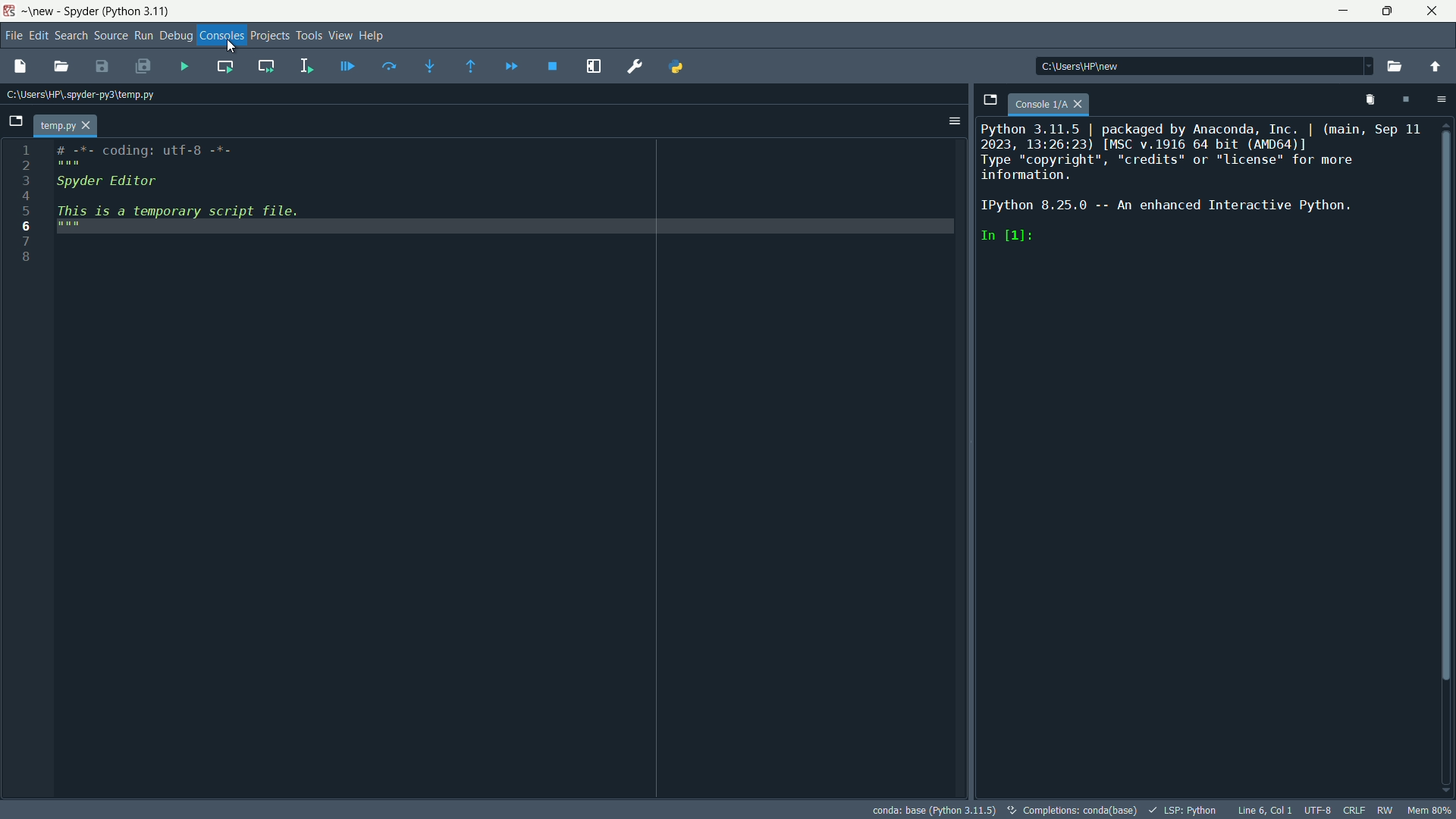  What do you see at coordinates (176, 36) in the screenshot?
I see `debug menu` at bounding box center [176, 36].